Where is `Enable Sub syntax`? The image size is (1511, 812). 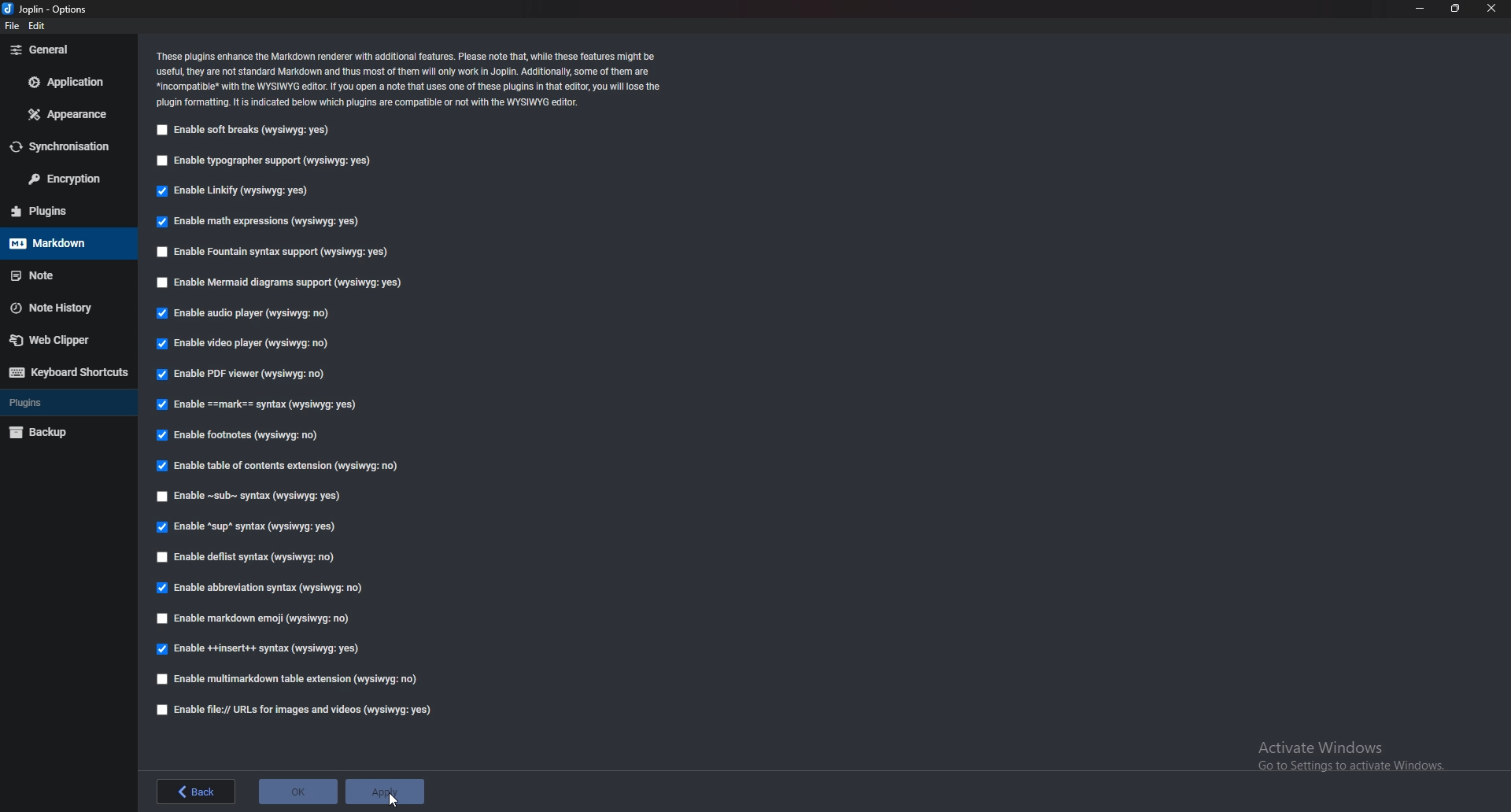
Enable Sub syntax is located at coordinates (251, 494).